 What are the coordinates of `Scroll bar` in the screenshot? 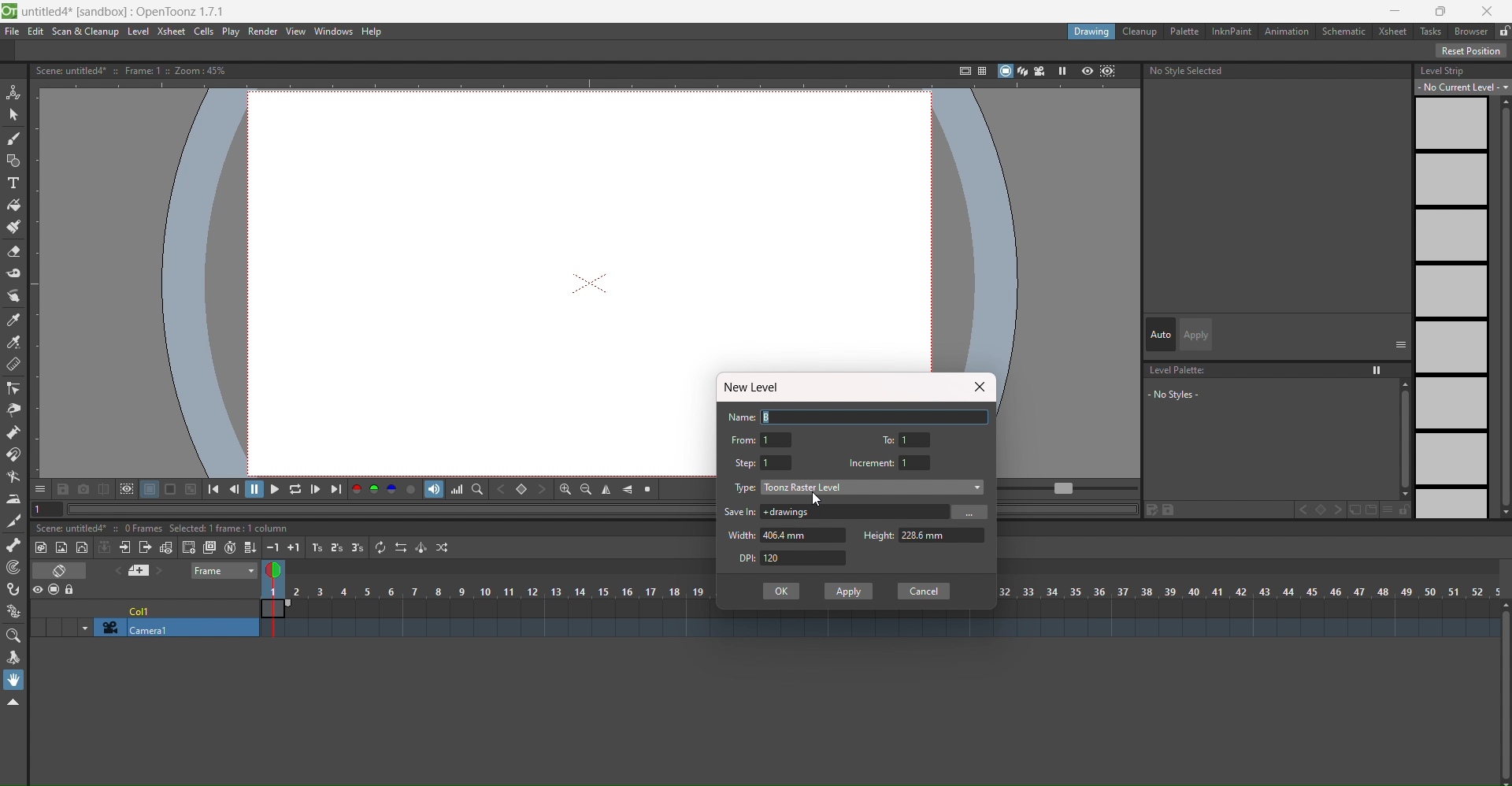 It's located at (1503, 307).